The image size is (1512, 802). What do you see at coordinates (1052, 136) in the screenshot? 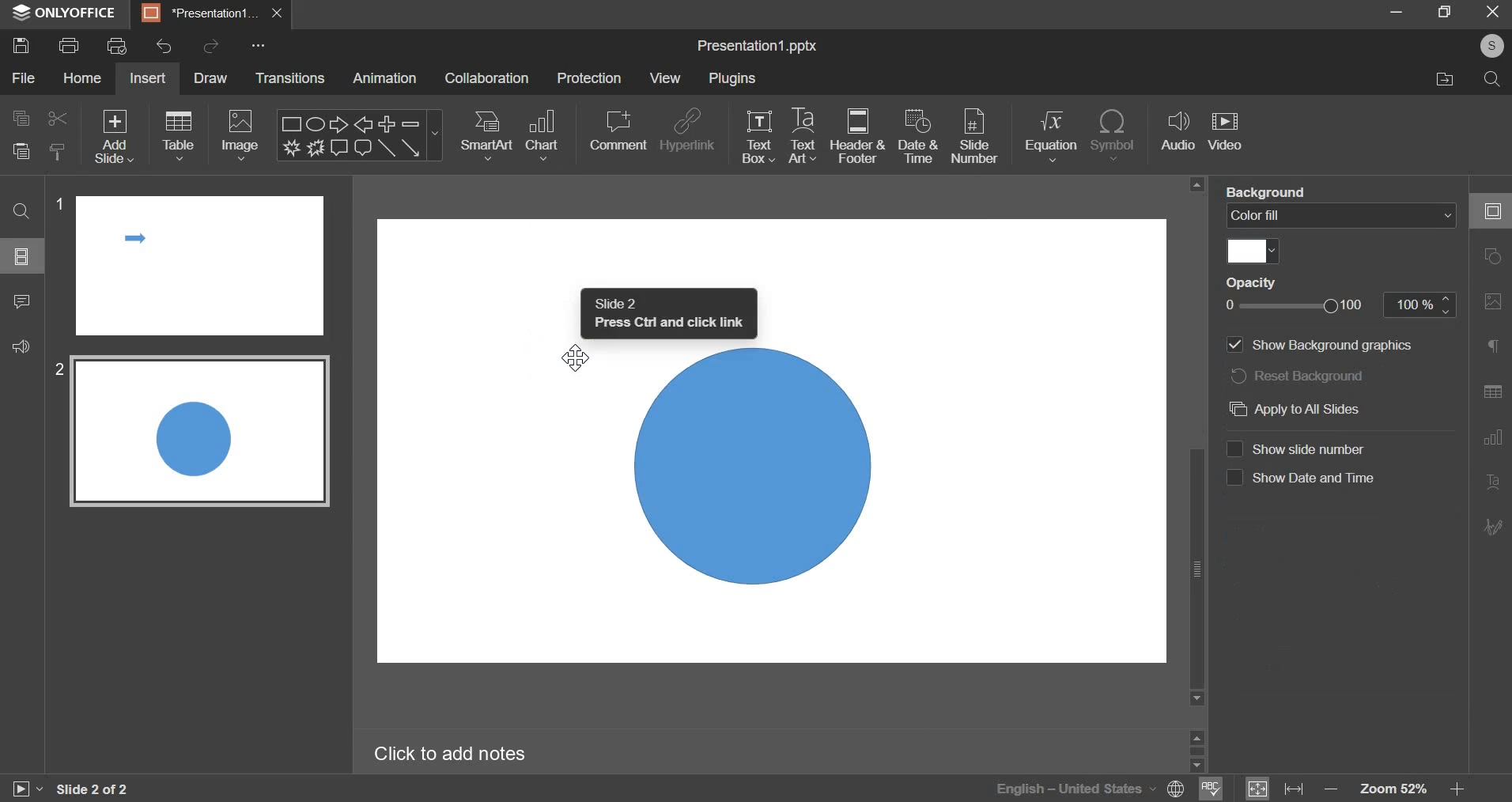
I see `insert equation` at bounding box center [1052, 136].